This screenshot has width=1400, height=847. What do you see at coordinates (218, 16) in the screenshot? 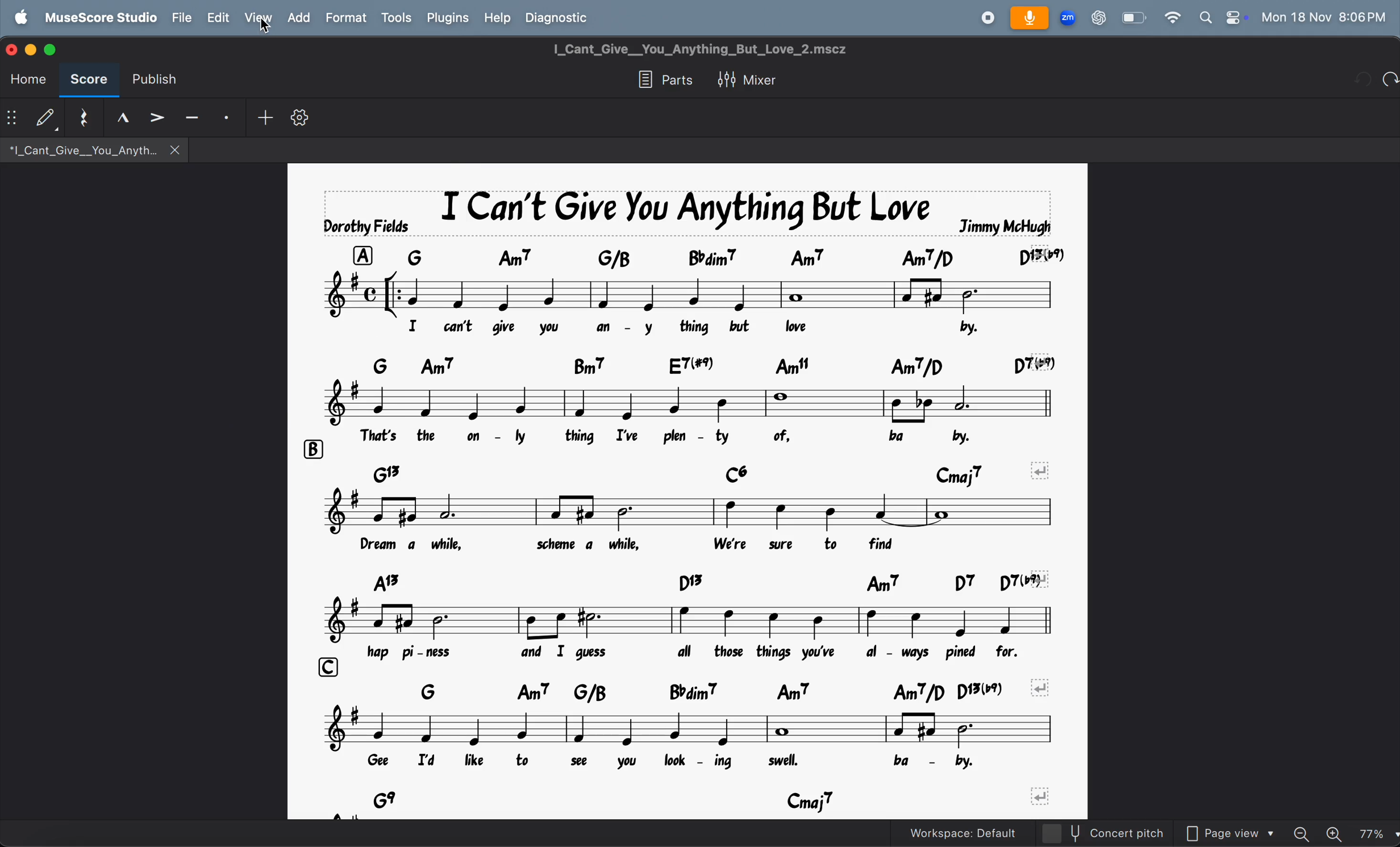
I see `edit` at bounding box center [218, 16].